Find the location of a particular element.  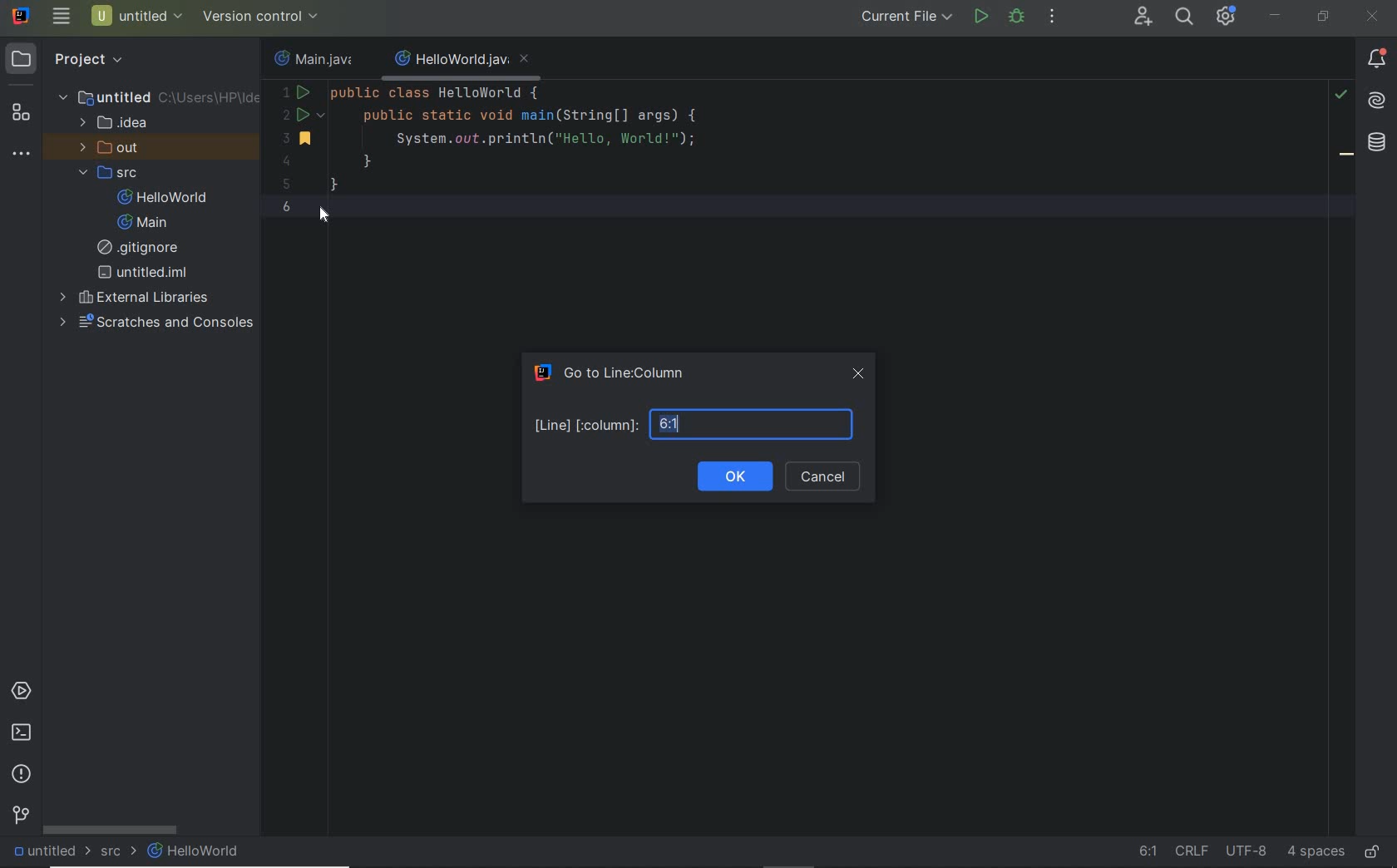

file name is located at coordinates (318, 57).